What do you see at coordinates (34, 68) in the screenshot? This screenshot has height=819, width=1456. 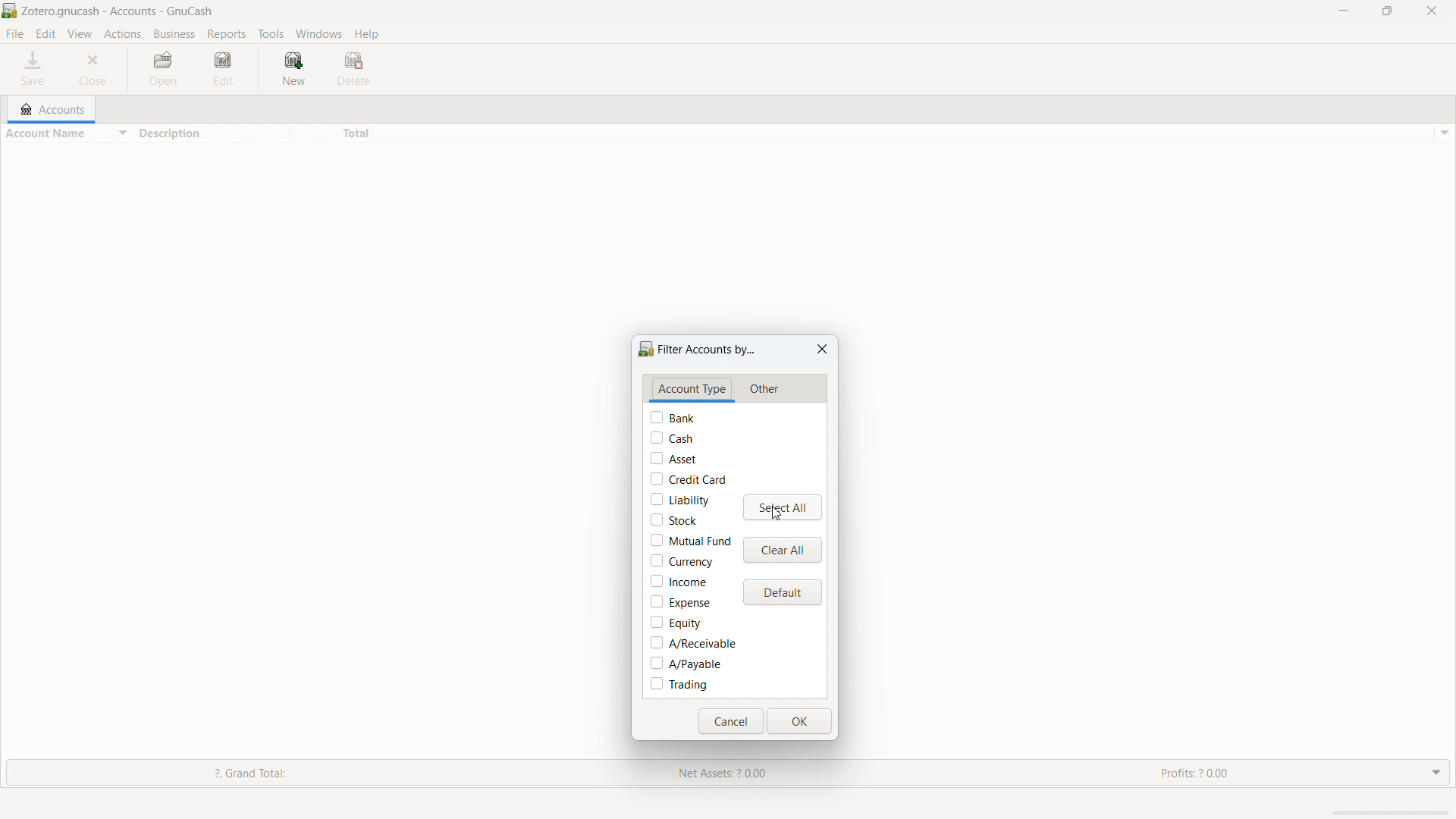 I see `save` at bounding box center [34, 68].